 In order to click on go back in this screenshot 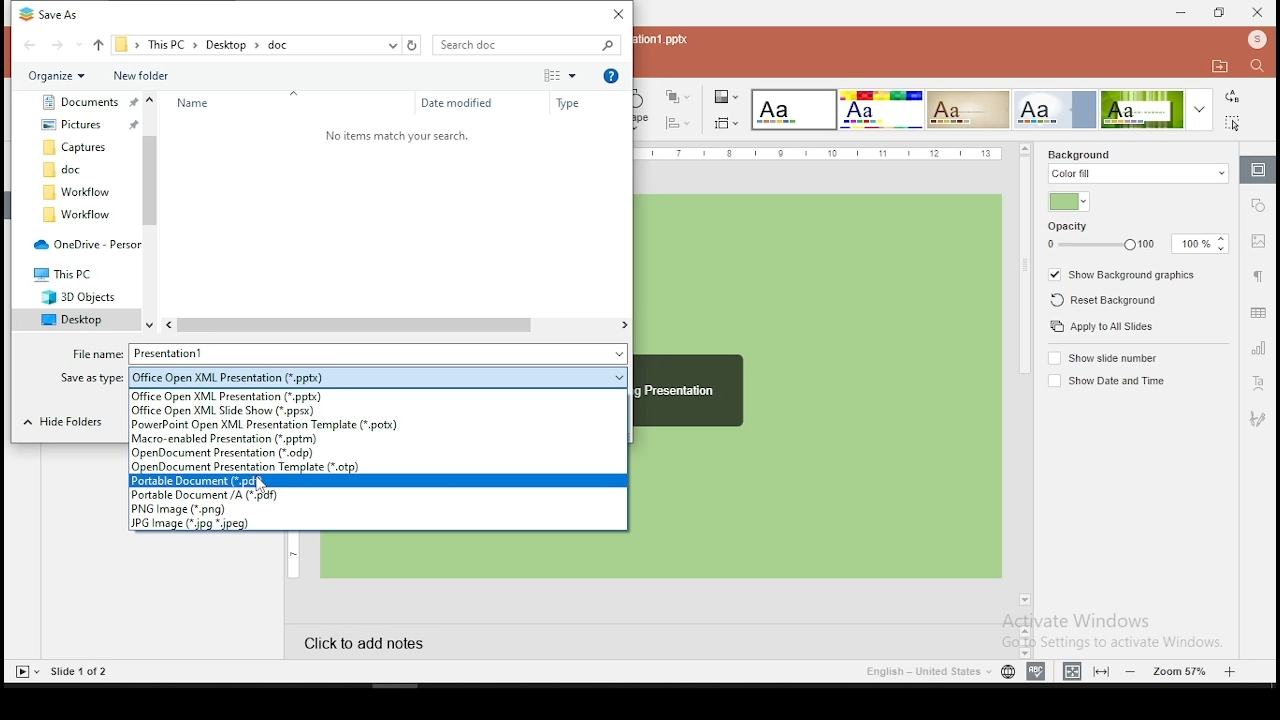, I will do `click(30, 44)`.